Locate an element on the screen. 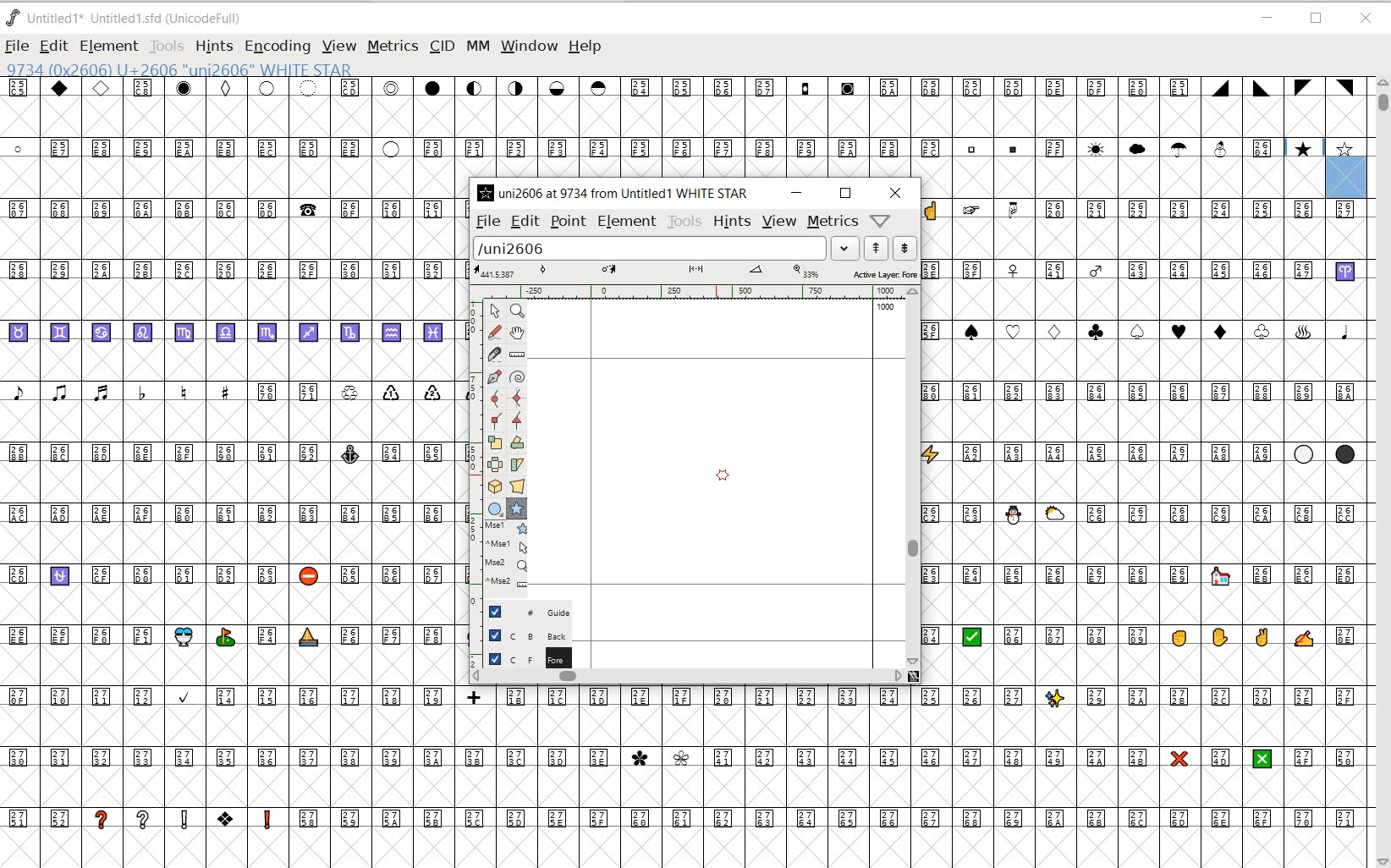 The image size is (1391, 868). ACTIVE LAYER is located at coordinates (695, 272).